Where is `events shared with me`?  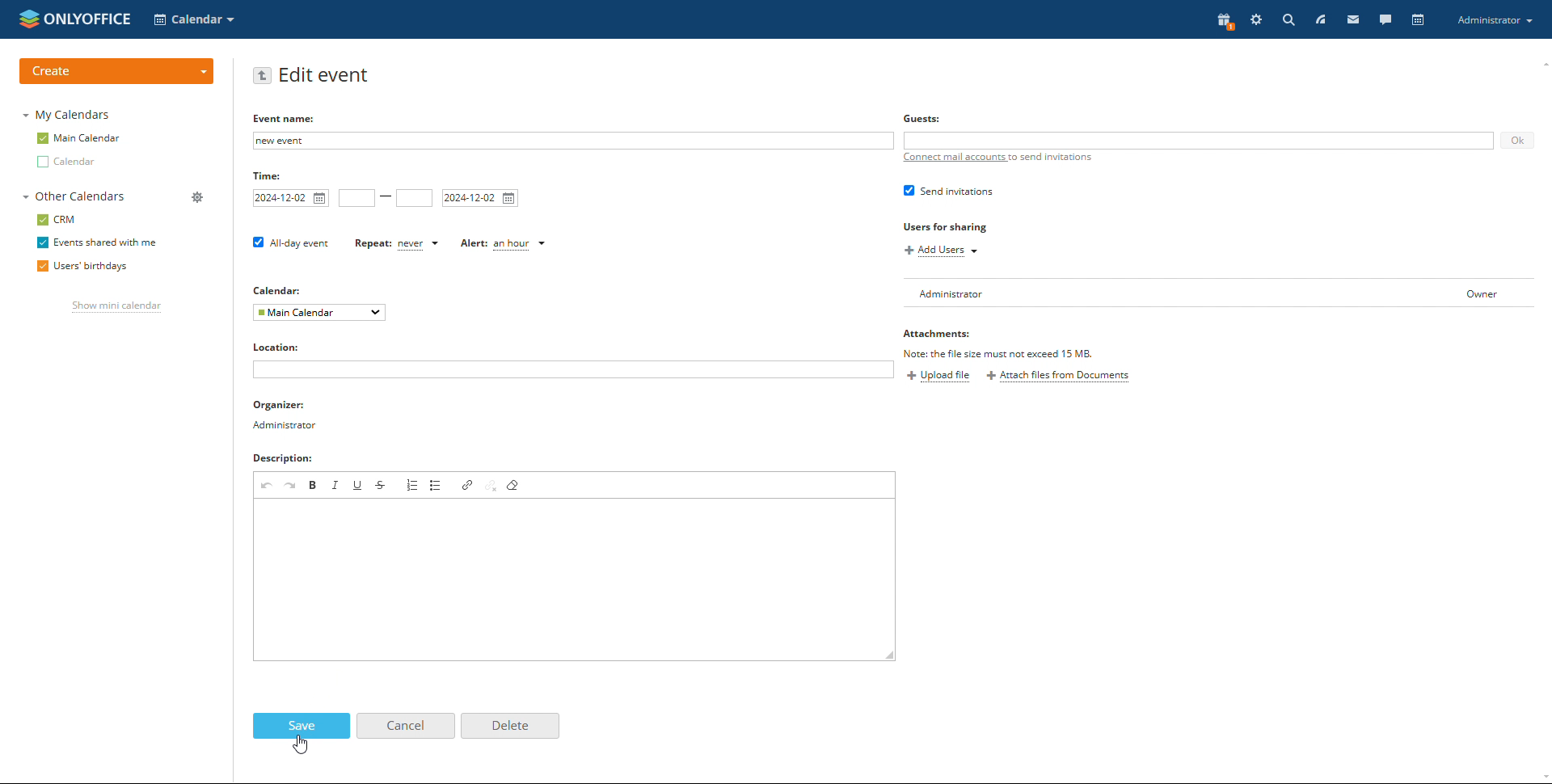 events shared with me is located at coordinates (97, 242).